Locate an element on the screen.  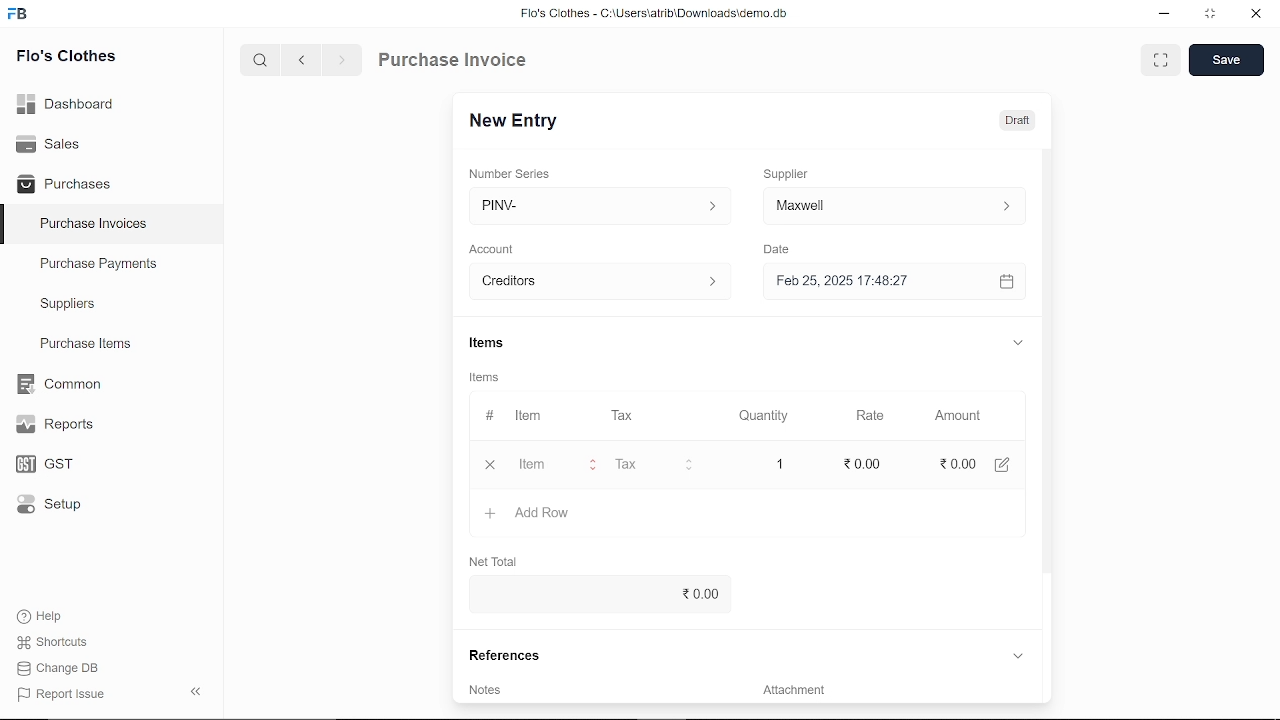
expand is located at coordinates (1018, 345).